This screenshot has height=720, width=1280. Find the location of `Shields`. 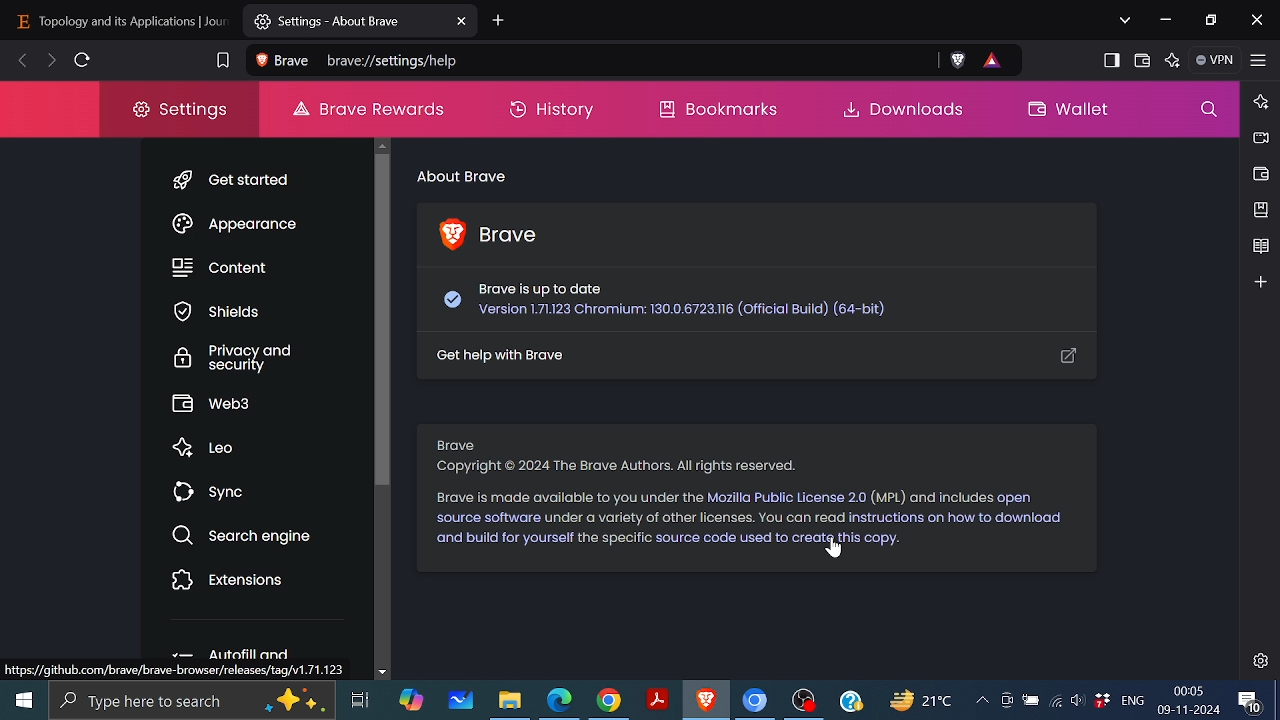

Shields is located at coordinates (220, 313).